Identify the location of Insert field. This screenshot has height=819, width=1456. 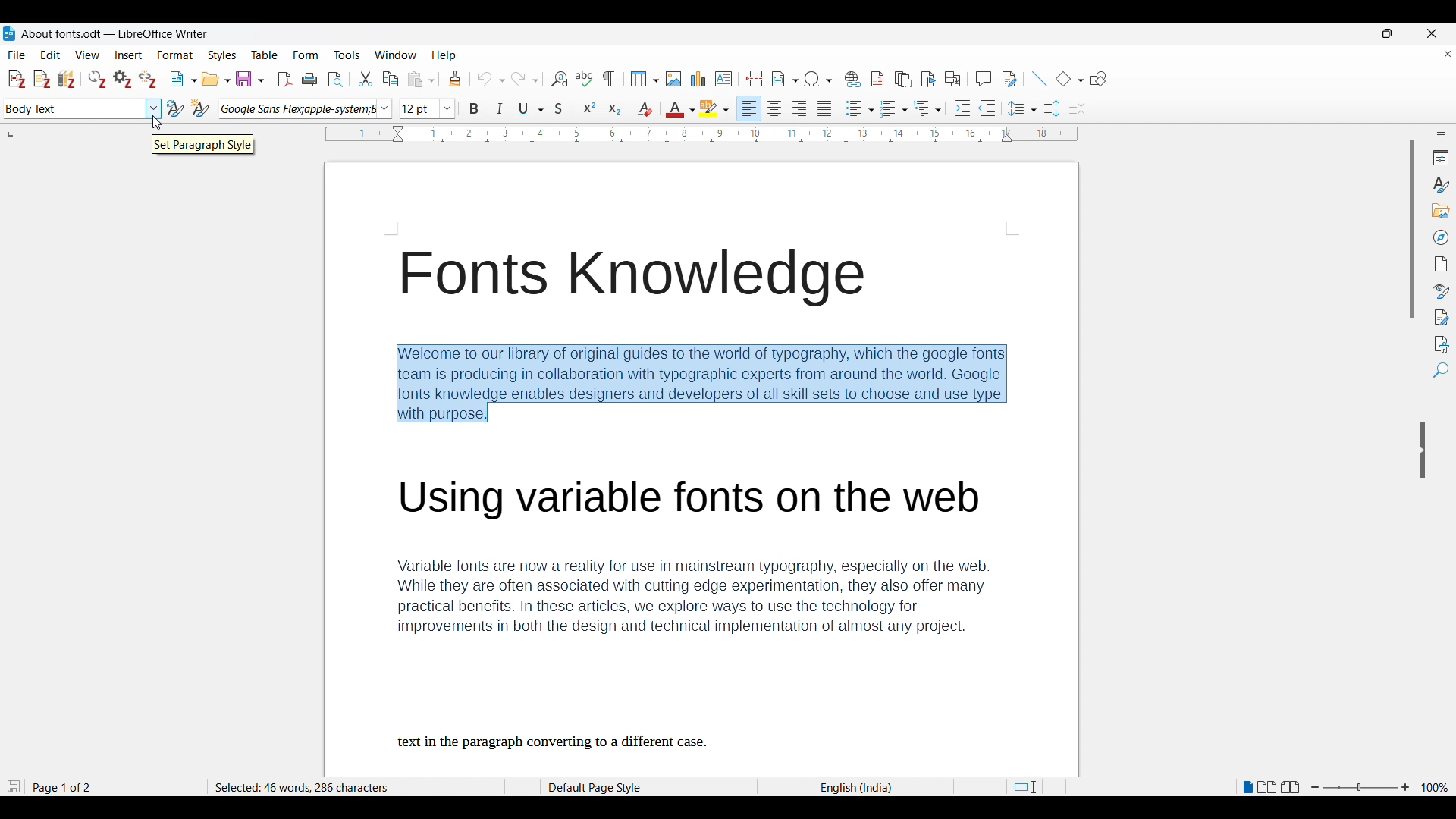
(785, 79).